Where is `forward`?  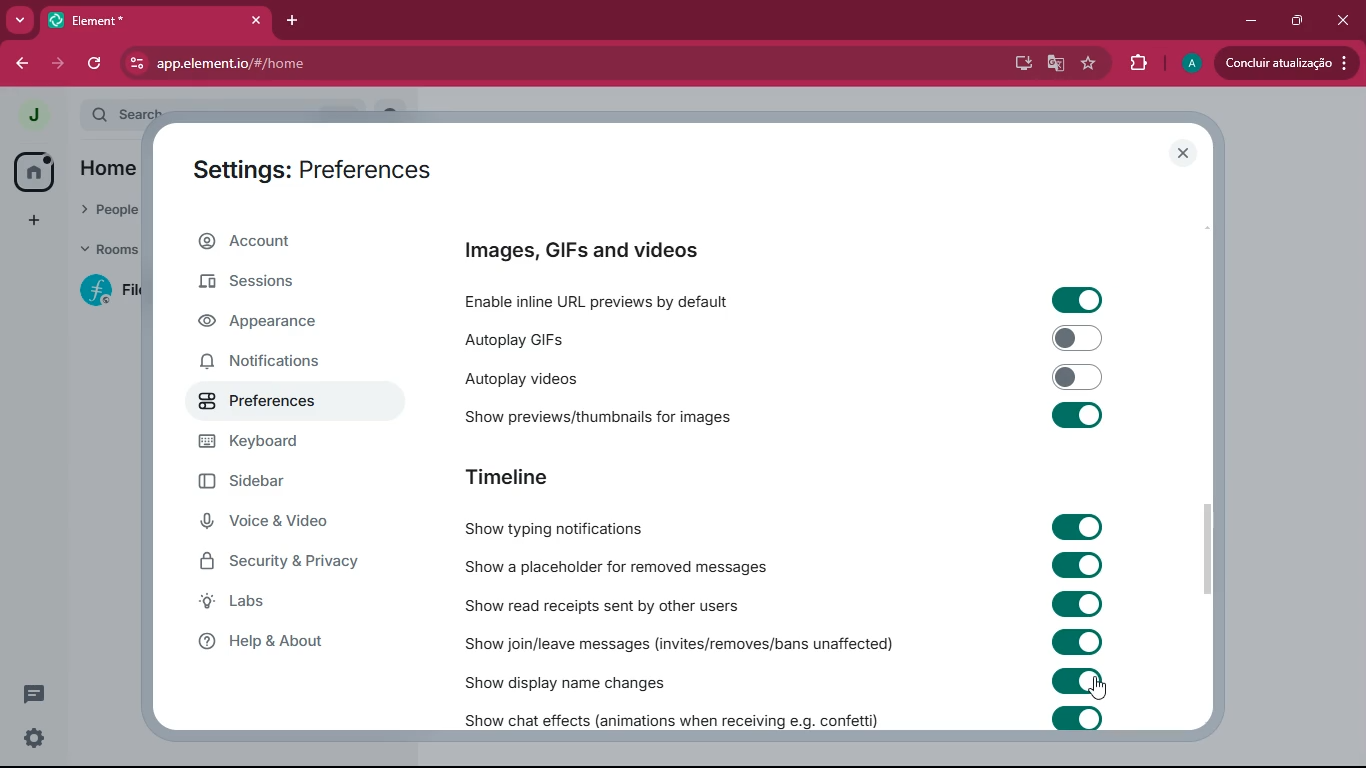 forward is located at coordinates (58, 65).